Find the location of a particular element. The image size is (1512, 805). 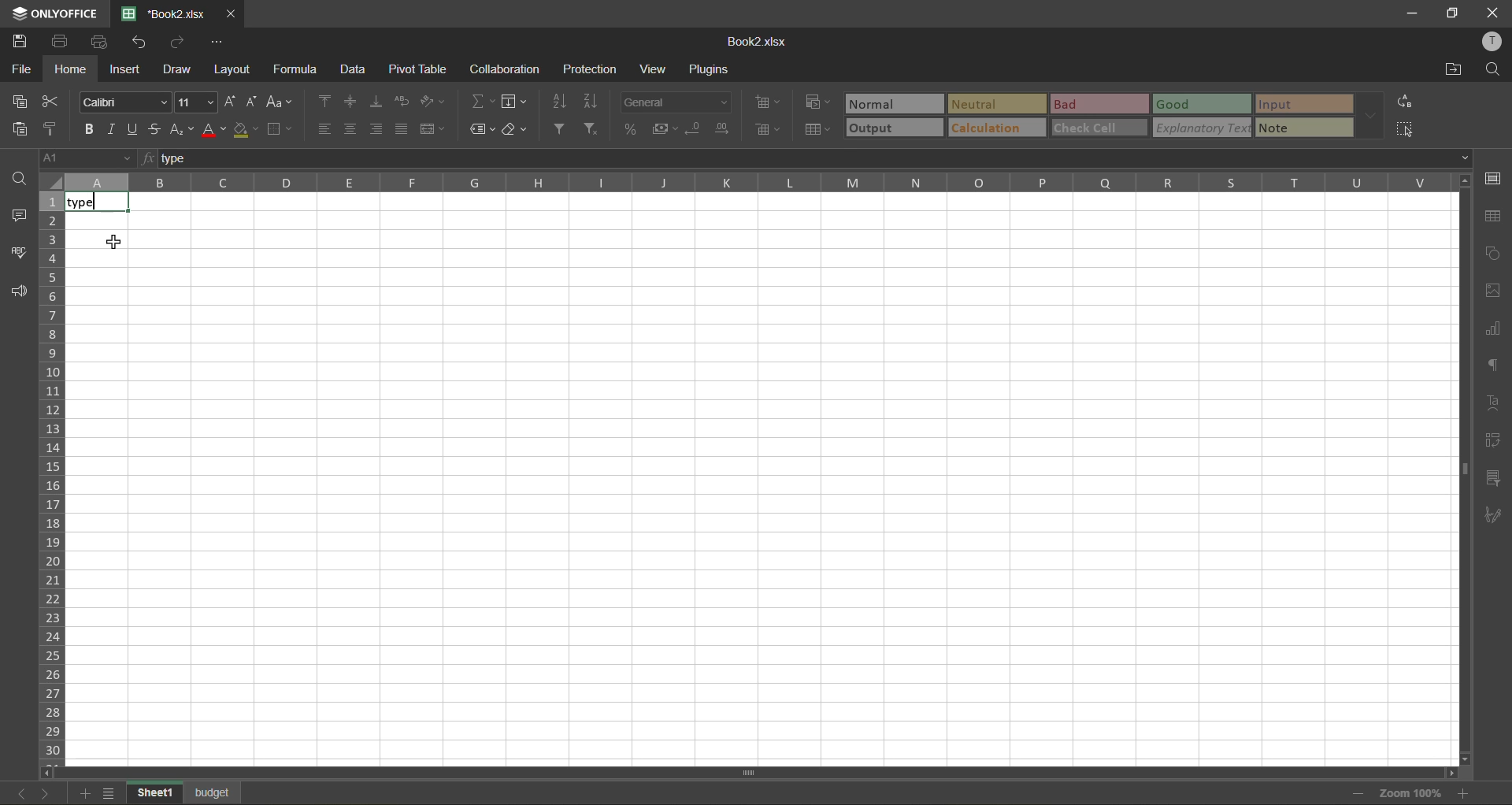

scroll bar is located at coordinates (714, 770).